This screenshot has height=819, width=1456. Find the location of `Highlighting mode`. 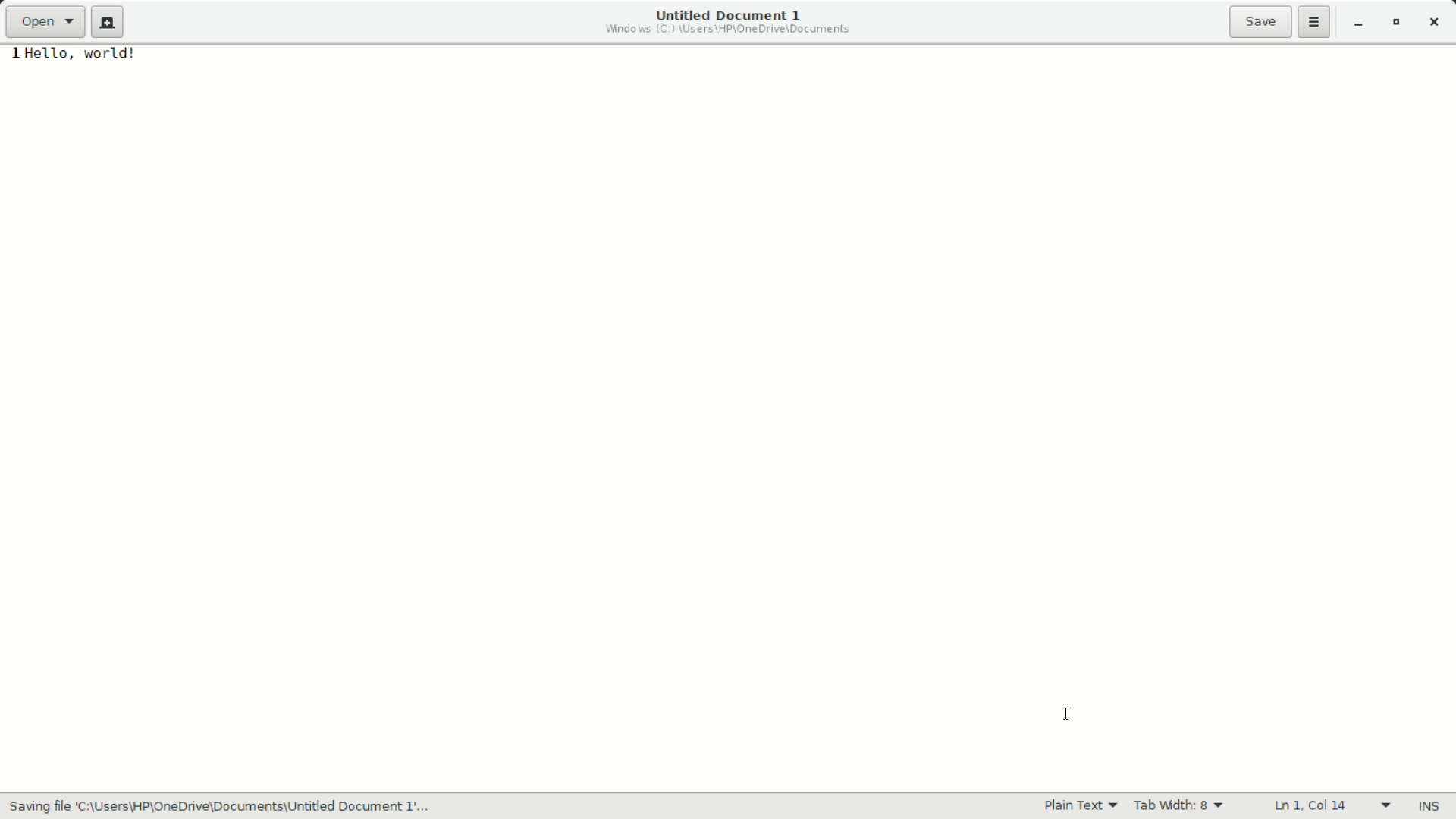

Highlighting mode is located at coordinates (1081, 806).